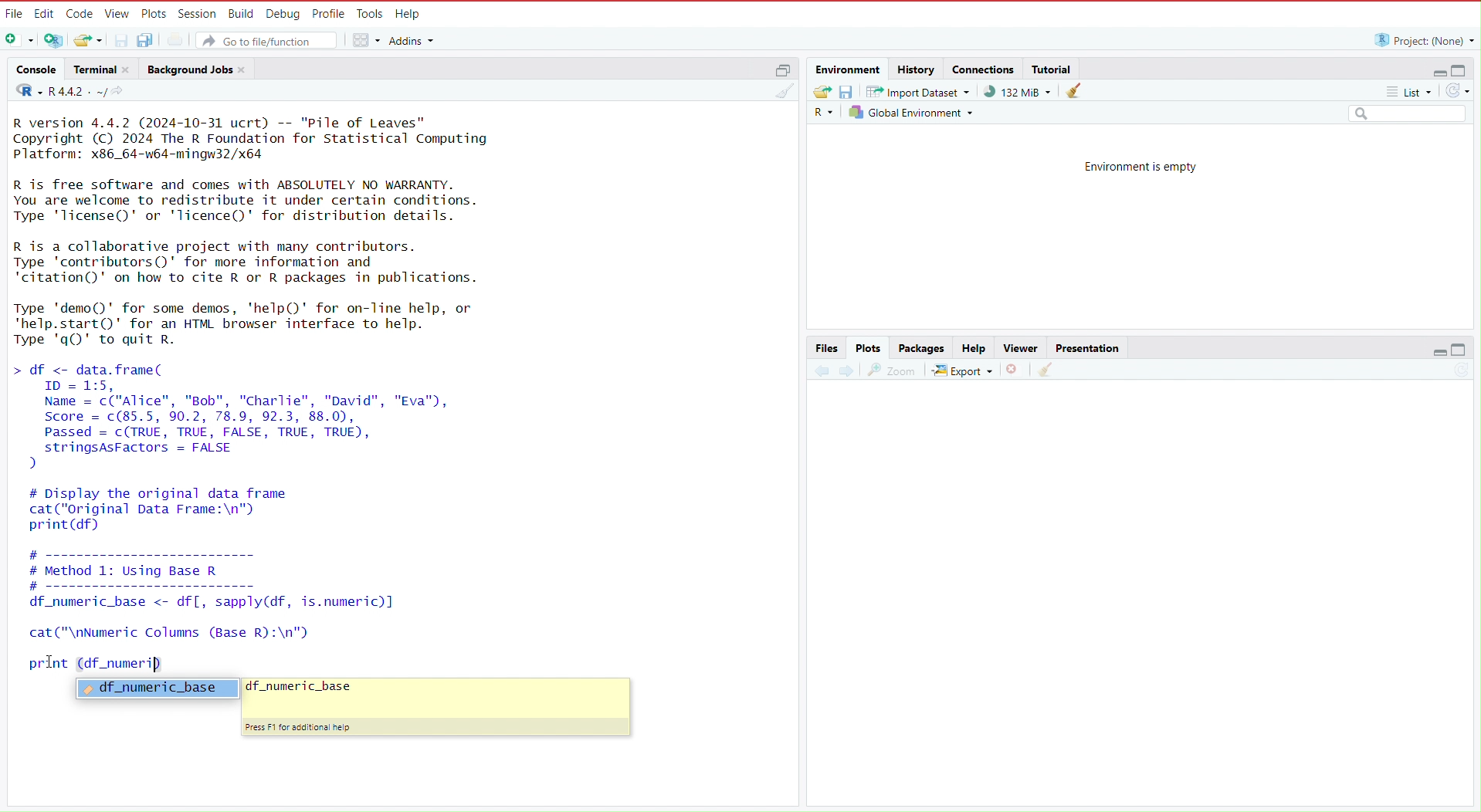 This screenshot has height=812, width=1481. I want to click on maximize, so click(1467, 350).